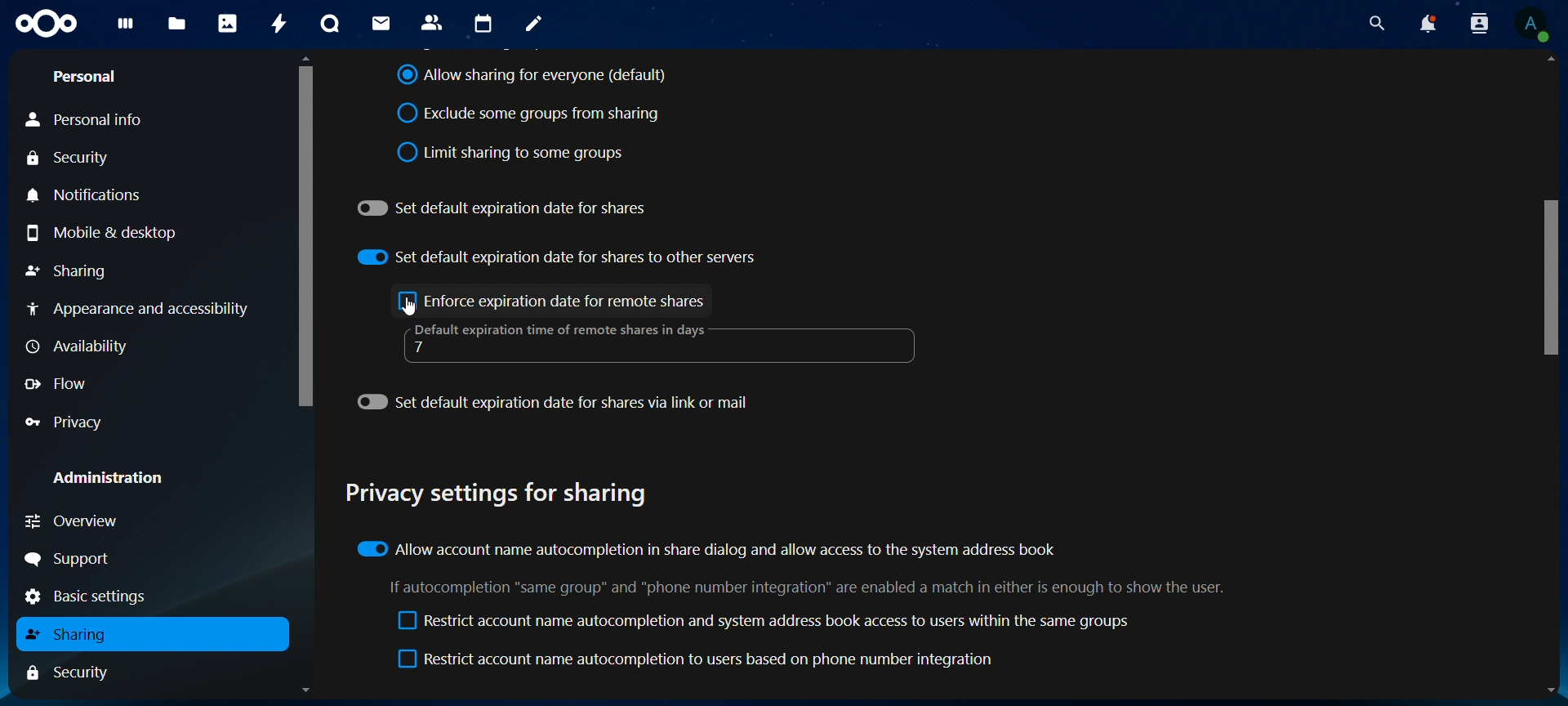 The height and width of the screenshot is (706, 1568). Describe the element at coordinates (227, 22) in the screenshot. I see `photos` at that location.